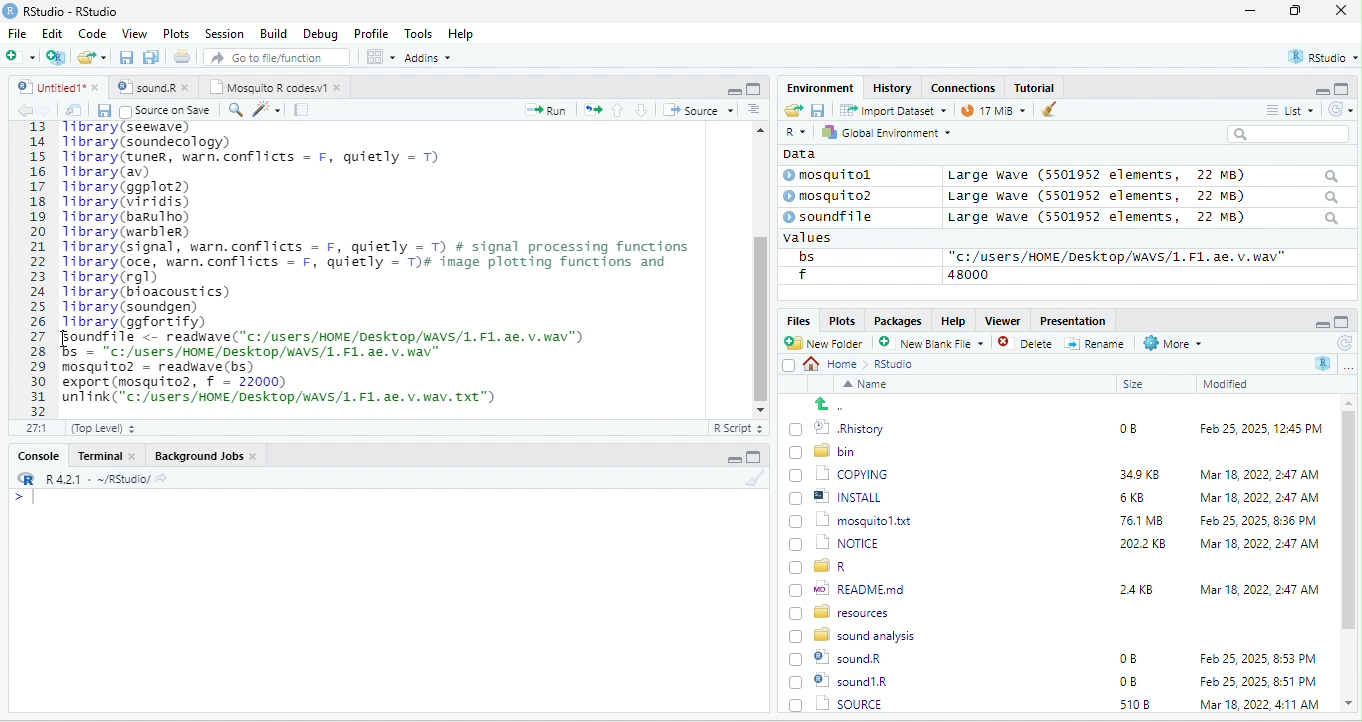 The width and height of the screenshot is (1362, 722). What do you see at coordinates (1344, 88) in the screenshot?
I see `maximize` at bounding box center [1344, 88].